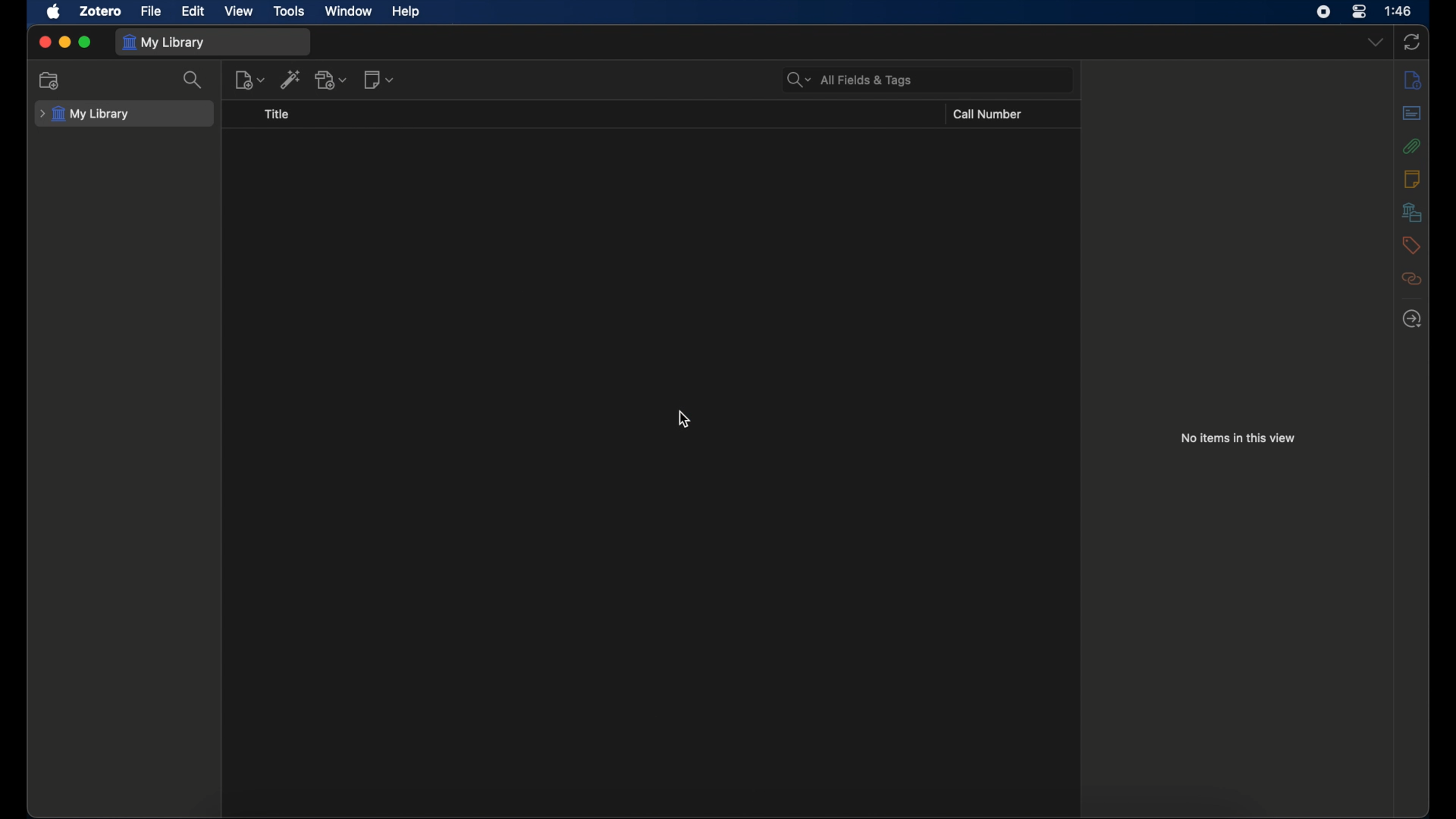 This screenshot has width=1456, height=819. What do you see at coordinates (1409, 245) in the screenshot?
I see `tags` at bounding box center [1409, 245].